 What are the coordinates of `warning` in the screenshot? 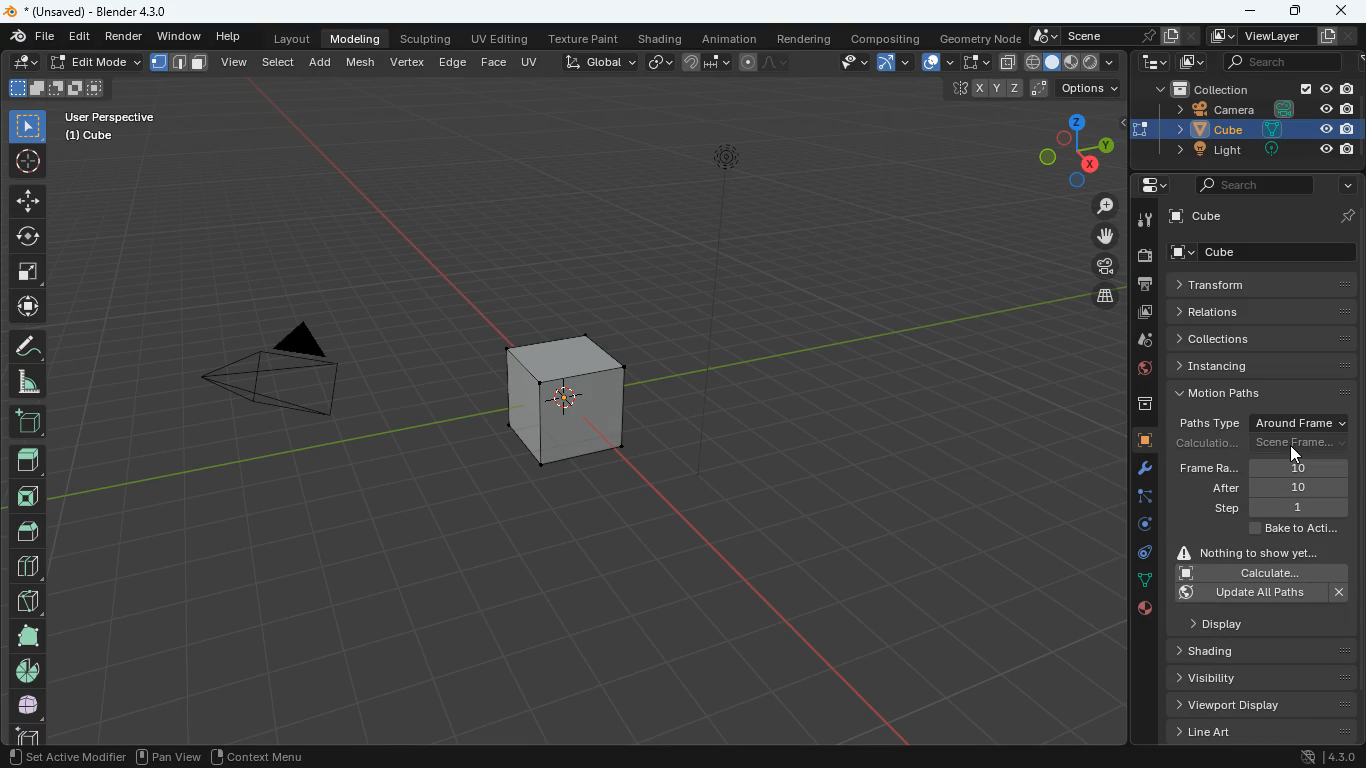 It's located at (1258, 551).